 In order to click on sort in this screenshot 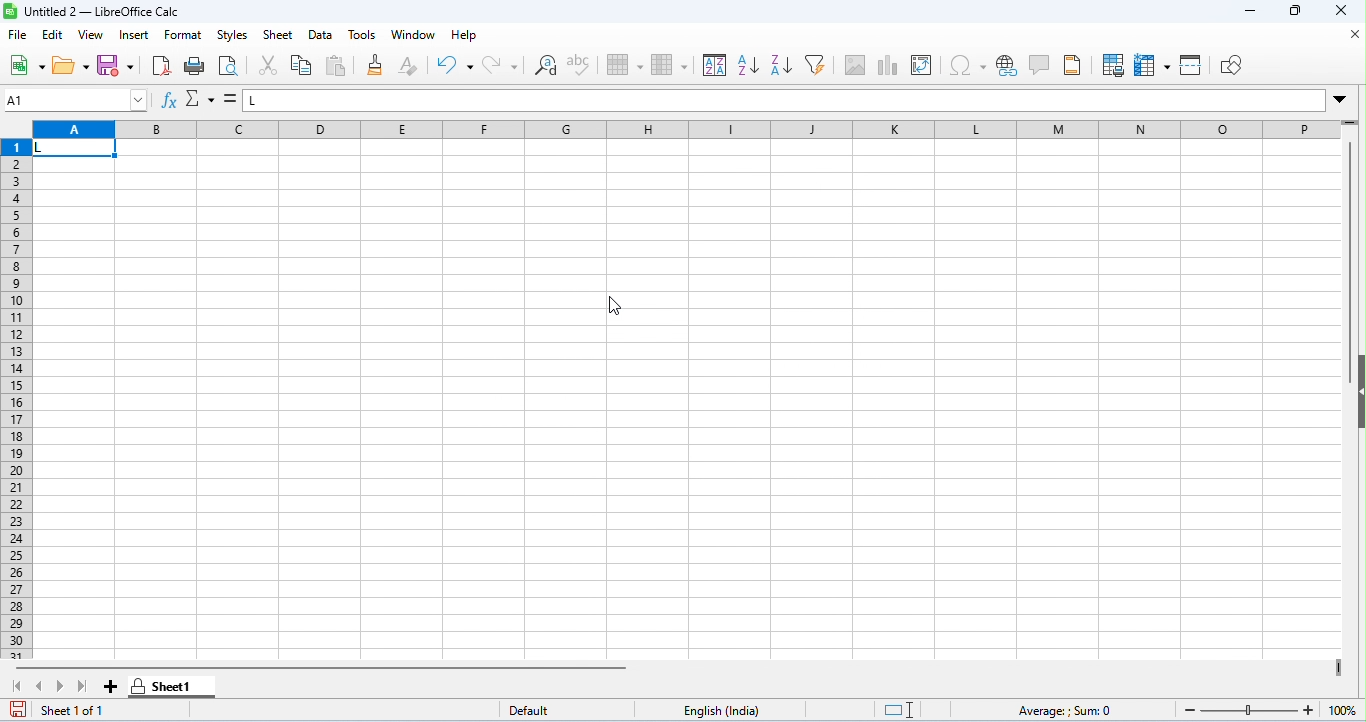, I will do `click(714, 64)`.